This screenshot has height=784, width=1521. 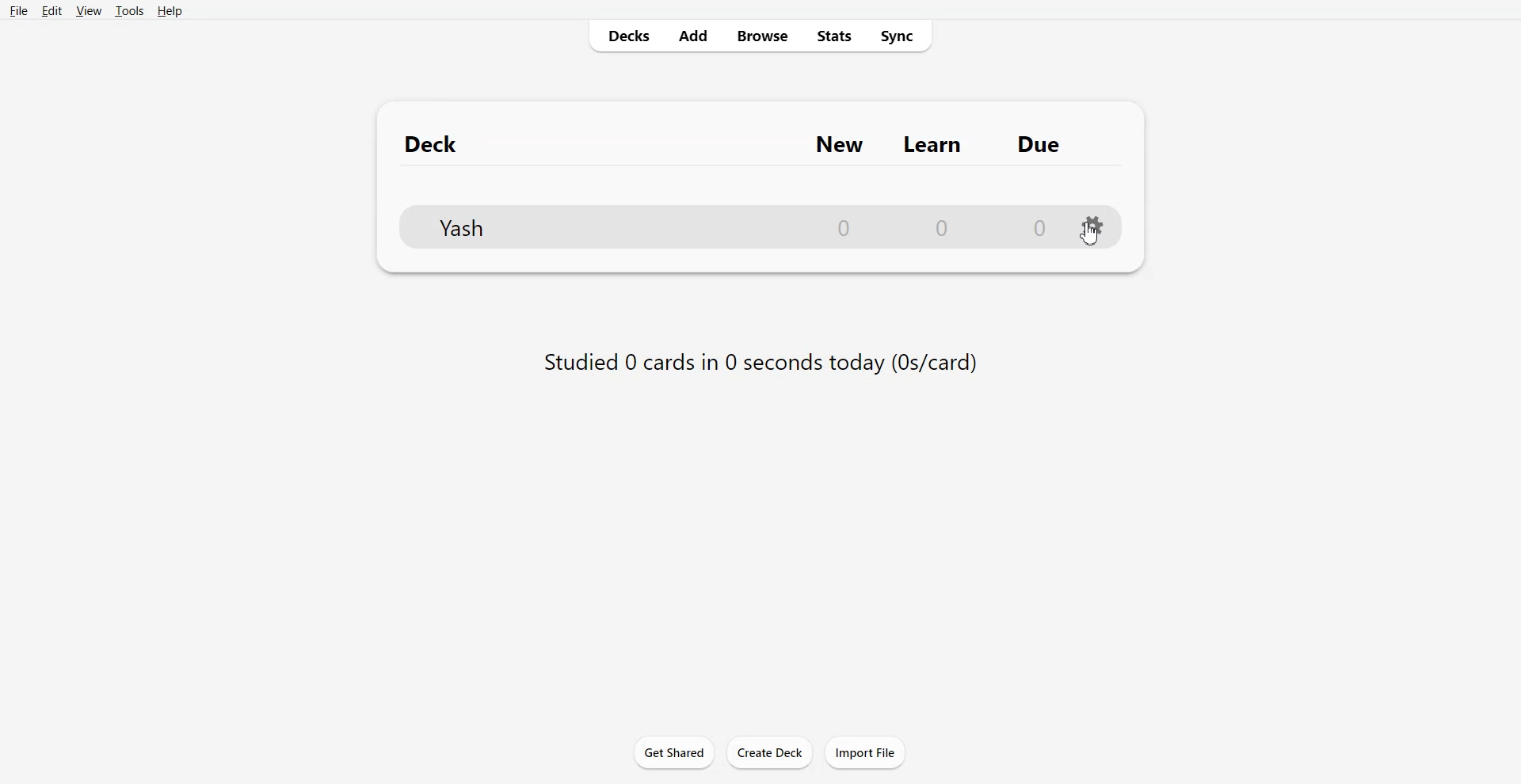 What do you see at coordinates (1093, 236) in the screenshot?
I see `CURSOR` at bounding box center [1093, 236].